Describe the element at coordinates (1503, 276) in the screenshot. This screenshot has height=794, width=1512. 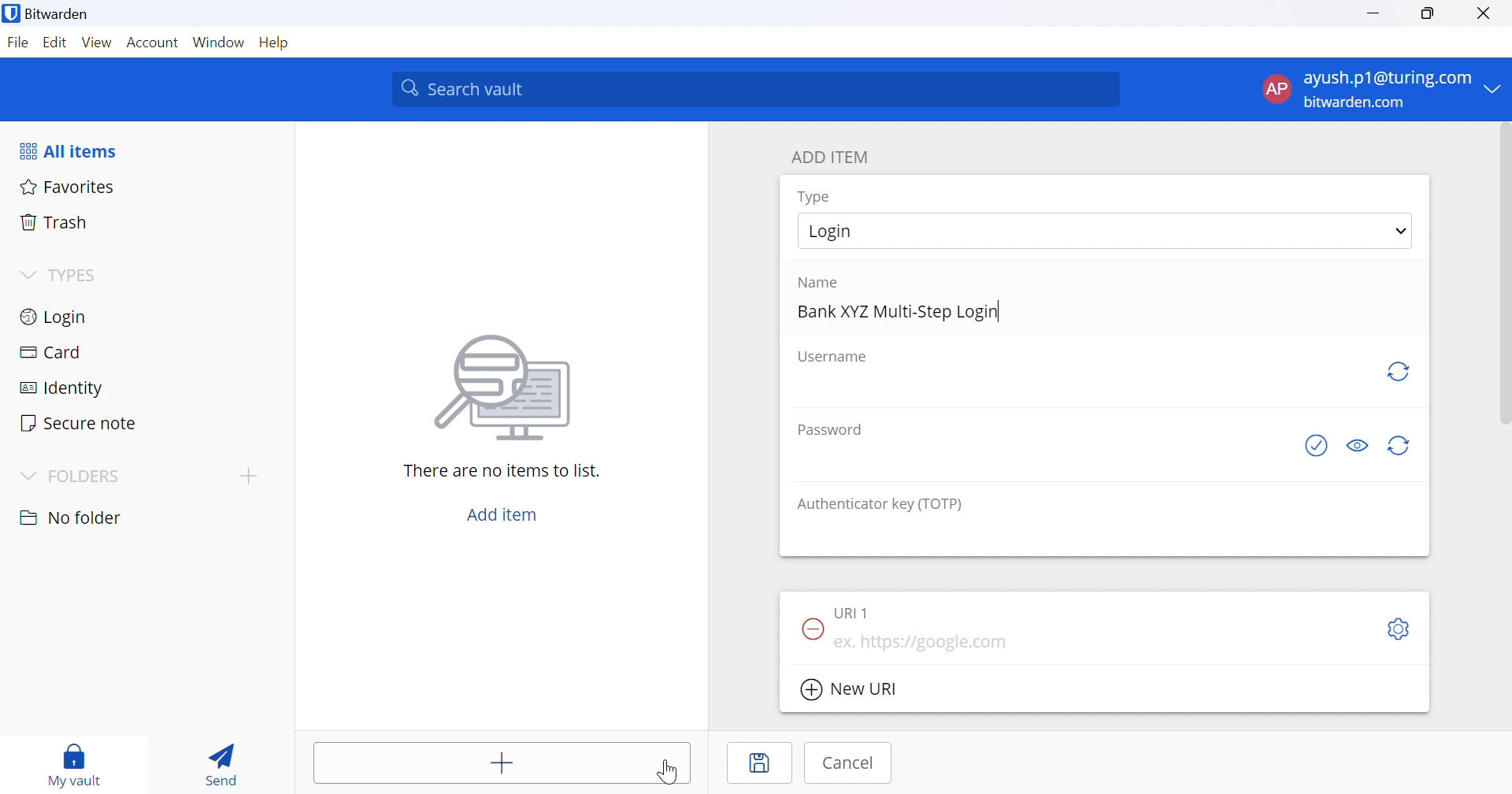
I see `scrollbar` at that location.